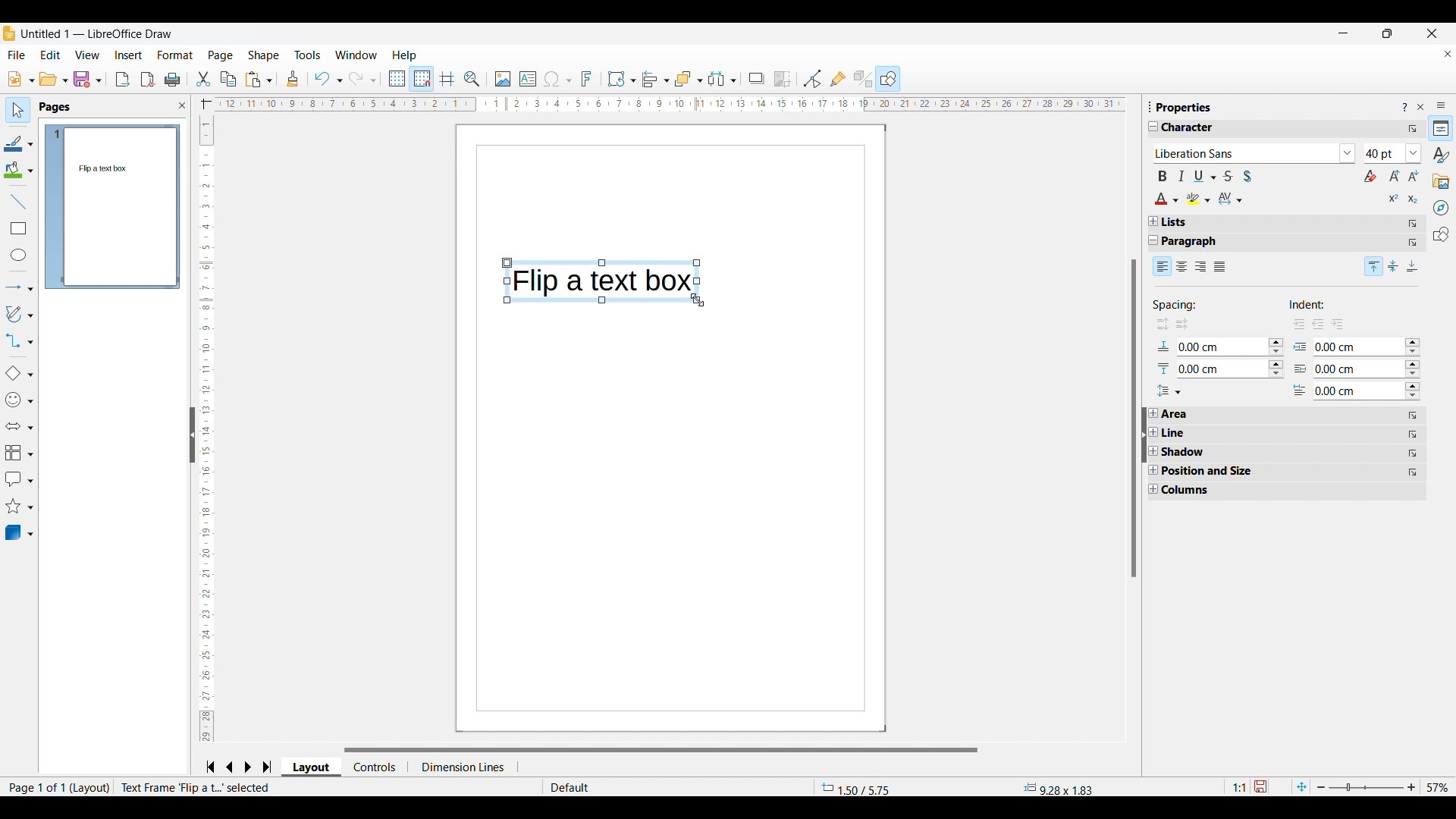  What do you see at coordinates (312, 769) in the screenshot?
I see `Page layout options` at bounding box center [312, 769].